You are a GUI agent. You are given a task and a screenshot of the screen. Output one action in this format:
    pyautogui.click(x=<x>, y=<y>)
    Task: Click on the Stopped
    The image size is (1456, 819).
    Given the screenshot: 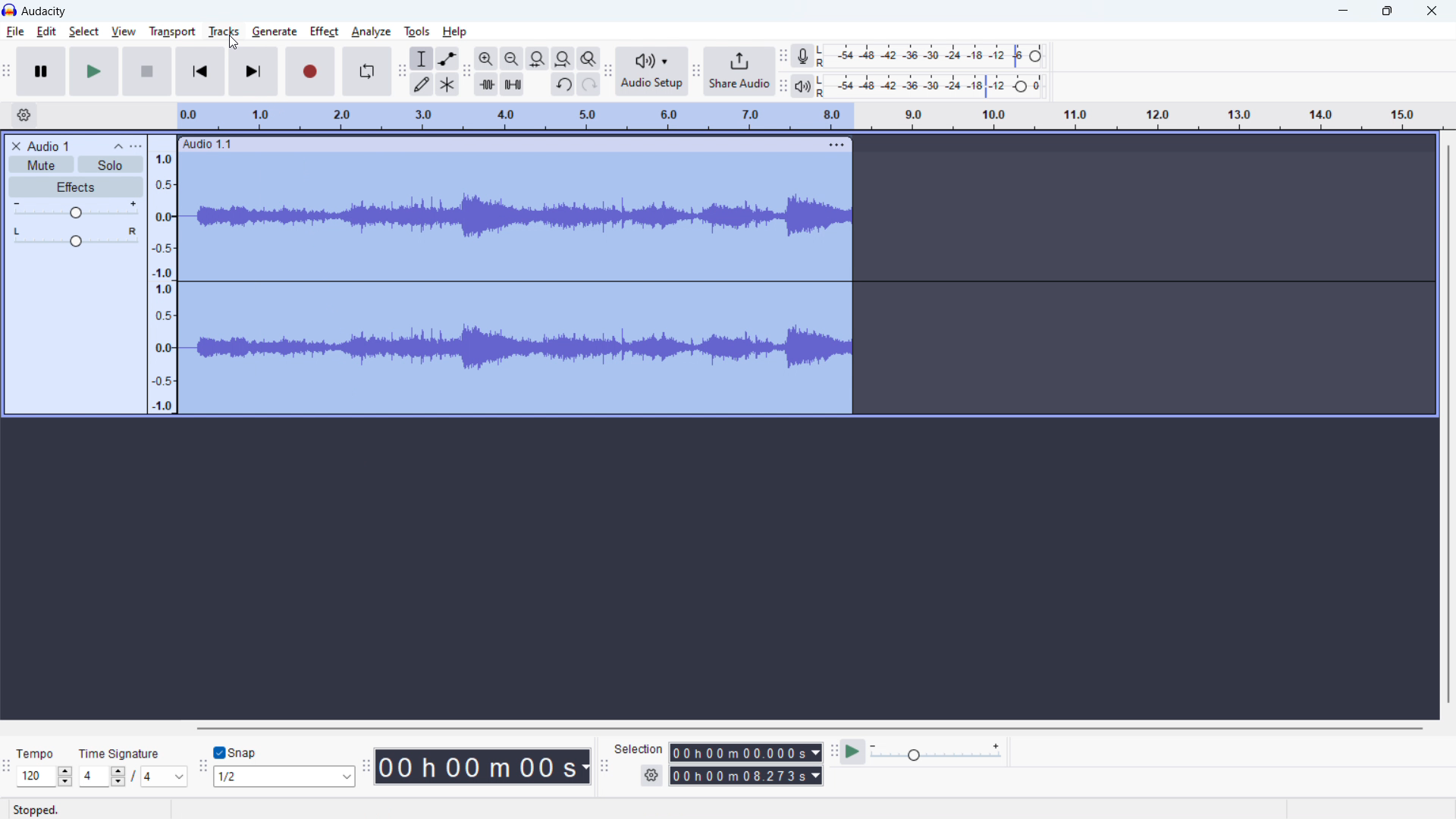 What is the action you would take?
    pyautogui.click(x=36, y=808)
    